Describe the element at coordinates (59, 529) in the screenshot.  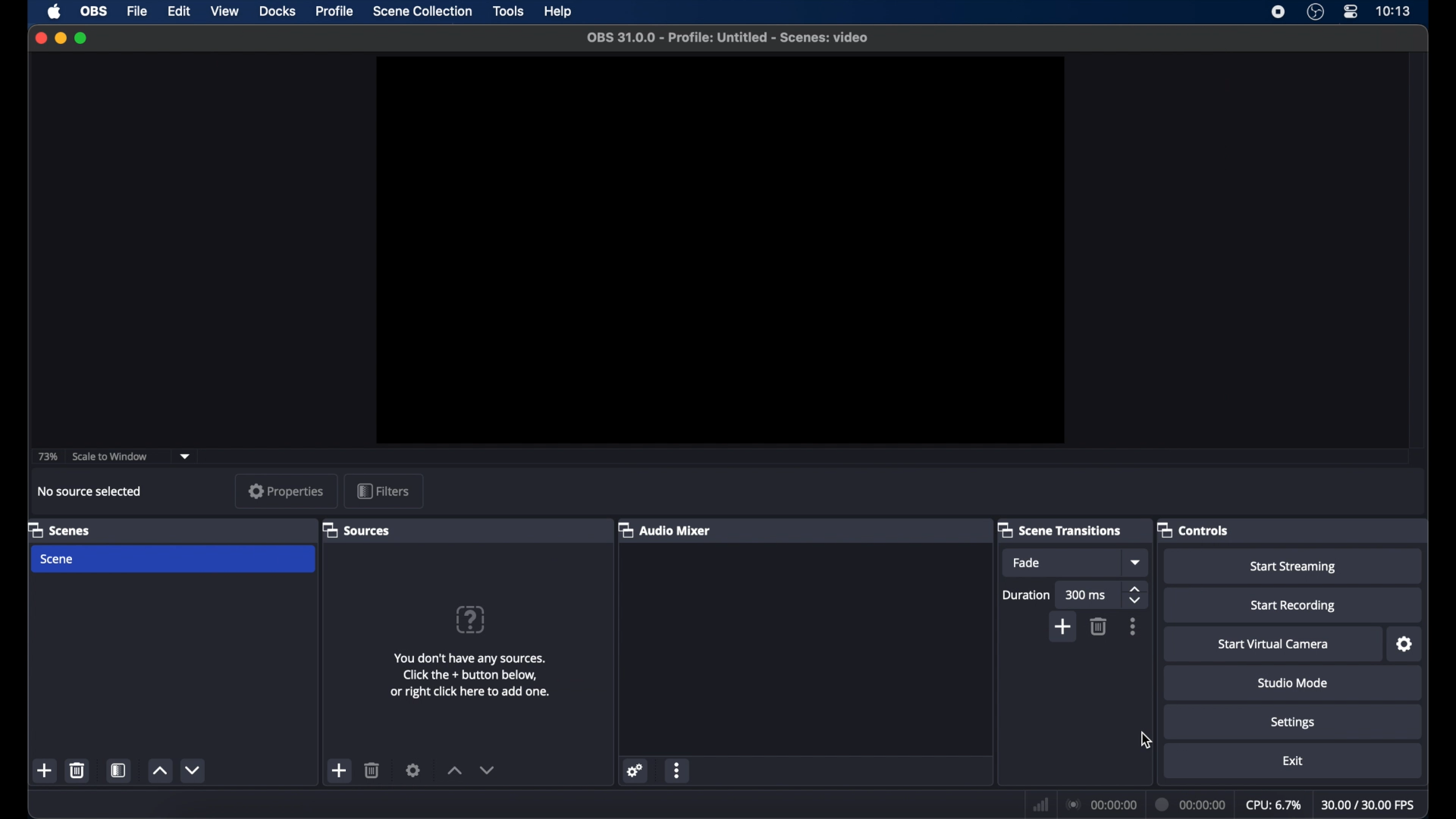
I see `scenes` at that location.